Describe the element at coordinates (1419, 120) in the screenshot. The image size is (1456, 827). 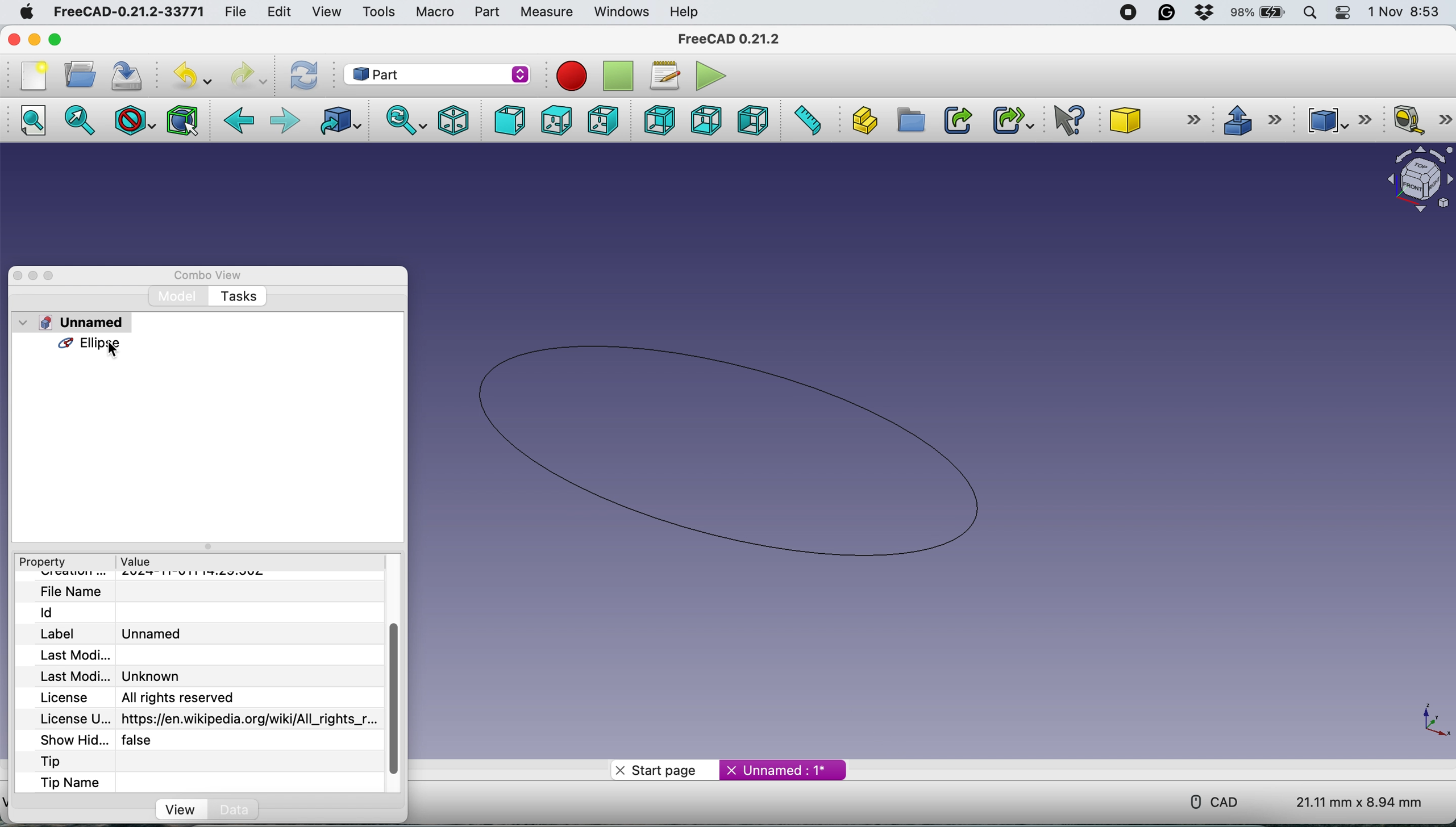
I see `measure linear` at that location.